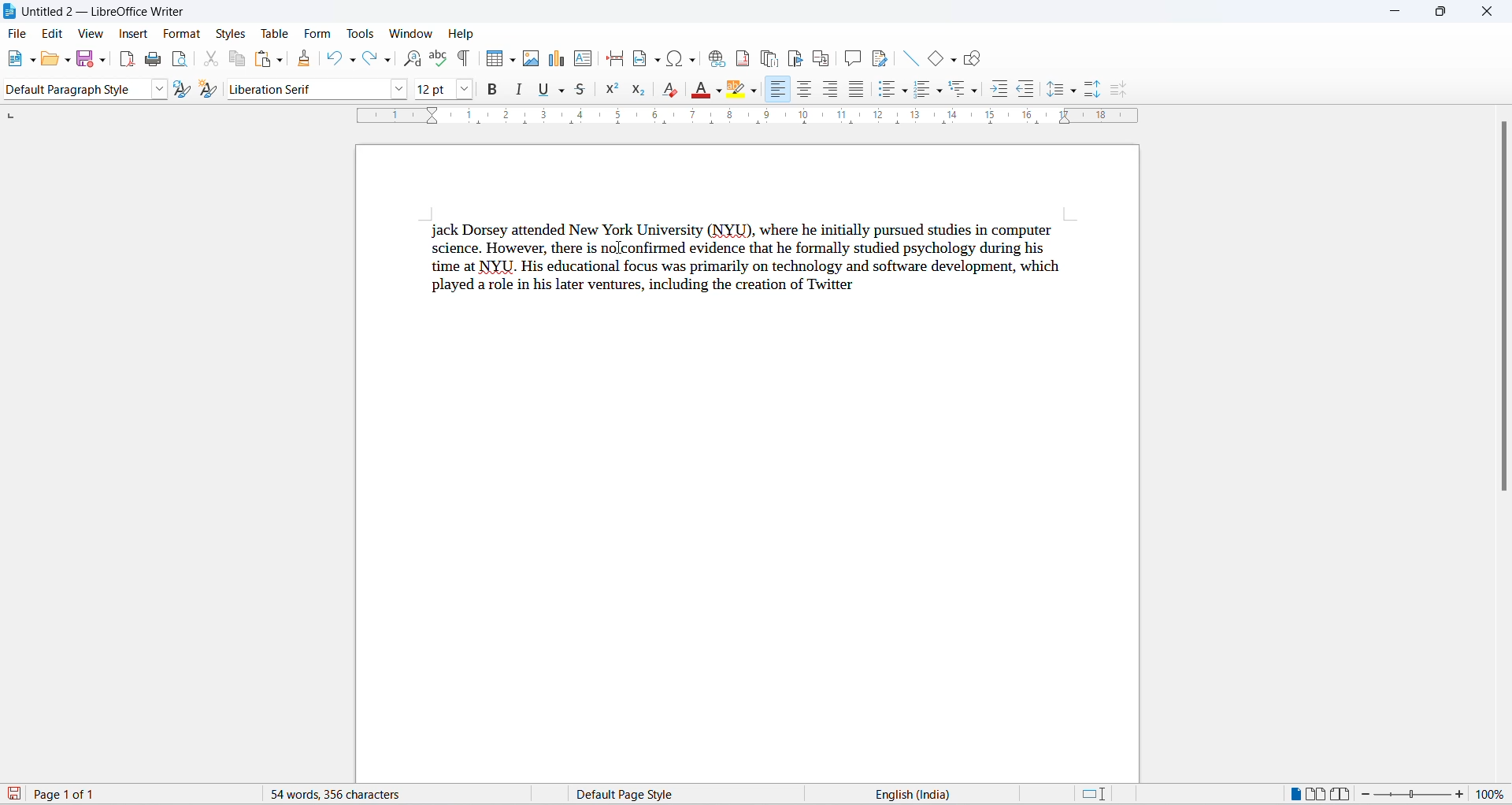 The width and height of the screenshot is (1512, 805). Describe the element at coordinates (10, 12) in the screenshot. I see `LibreOffice Icon` at that location.